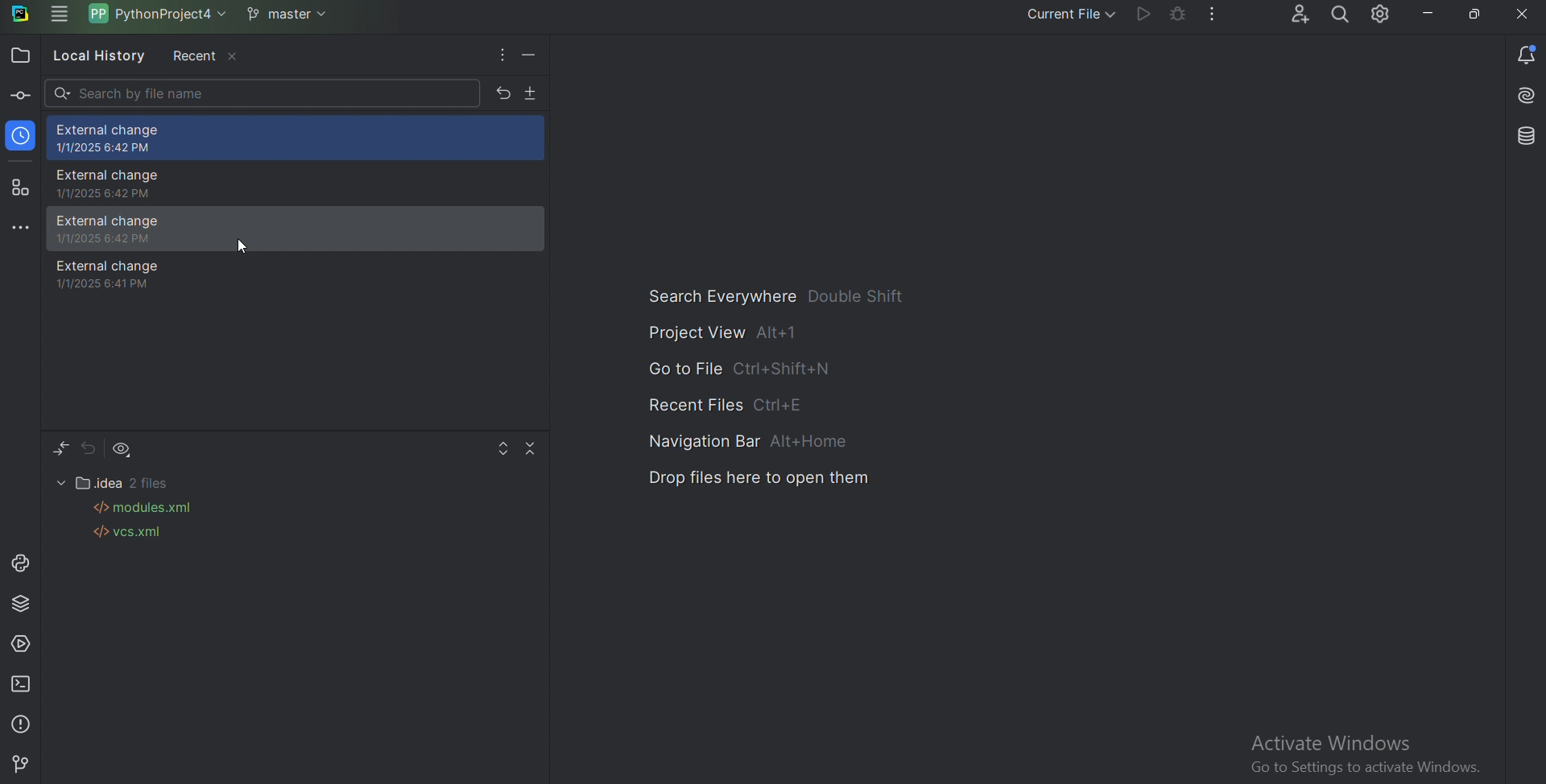 This screenshot has width=1546, height=784. What do you see at coordinates (61, 15) in the screenshot?
I see `main menu` at bounding box center [61, 15].